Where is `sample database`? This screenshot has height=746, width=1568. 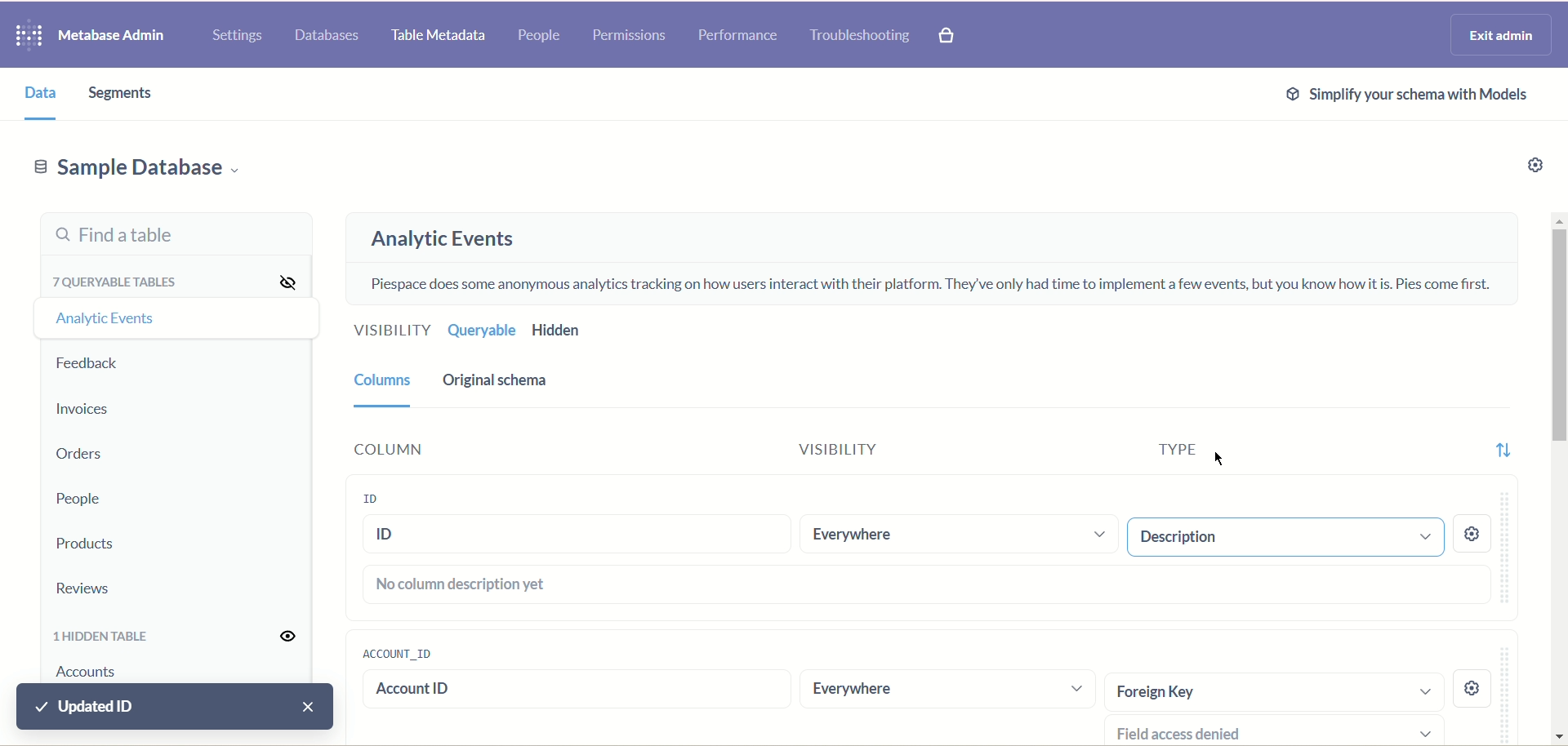 sample database is located at coordinates (135, 172).